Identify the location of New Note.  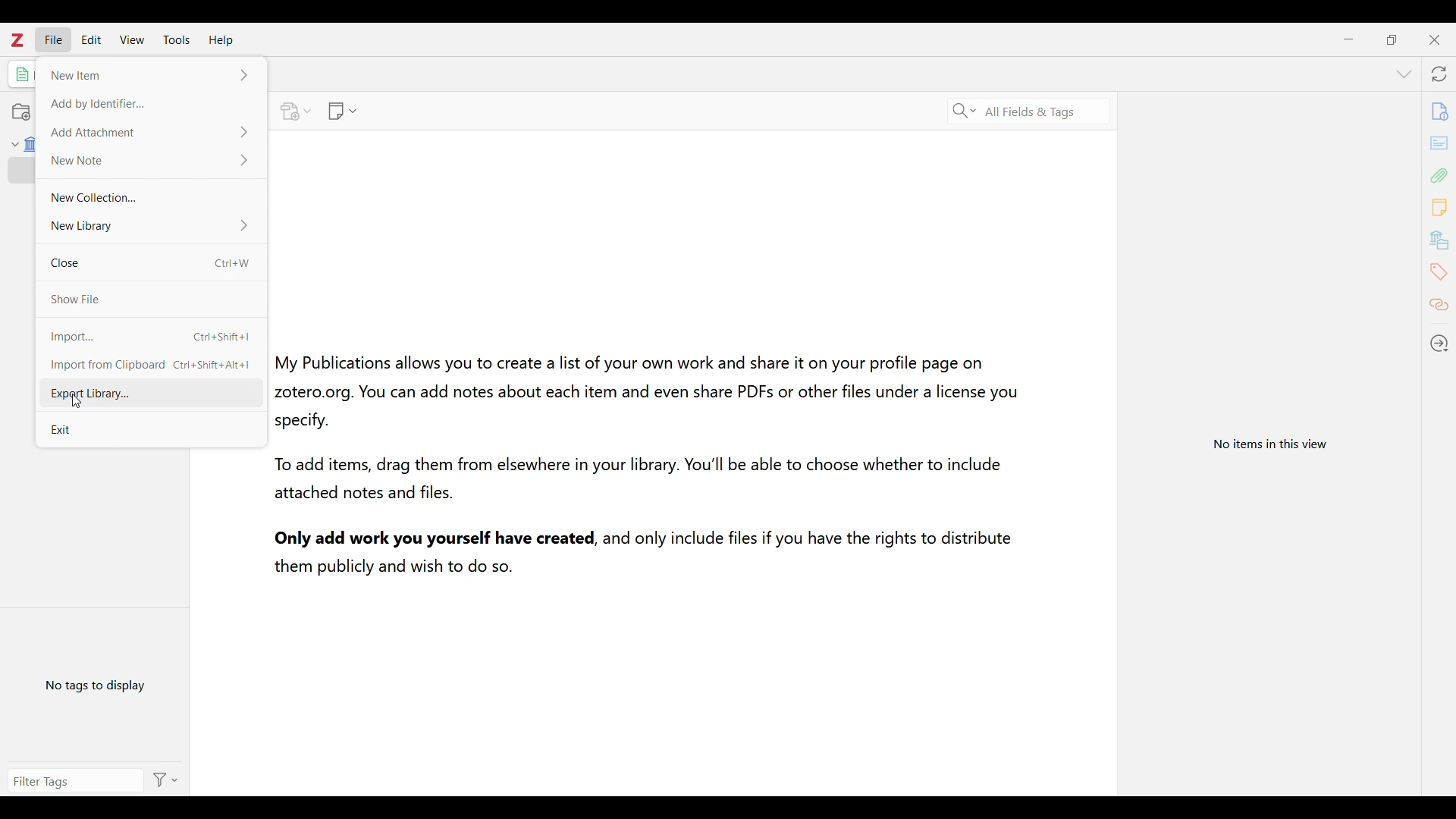
(152, 160).